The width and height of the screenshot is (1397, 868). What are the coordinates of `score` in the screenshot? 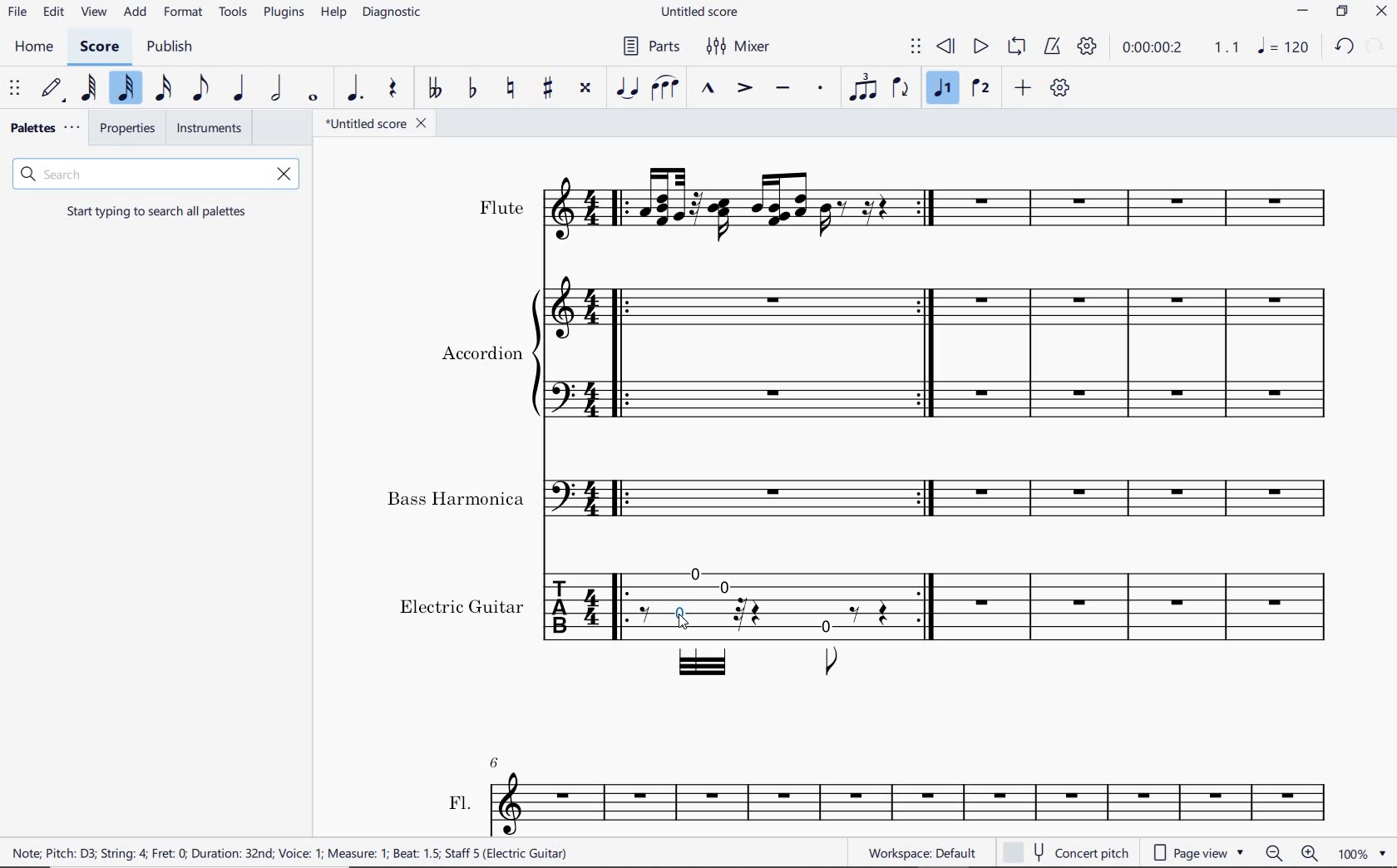 It's located at (101, 47).